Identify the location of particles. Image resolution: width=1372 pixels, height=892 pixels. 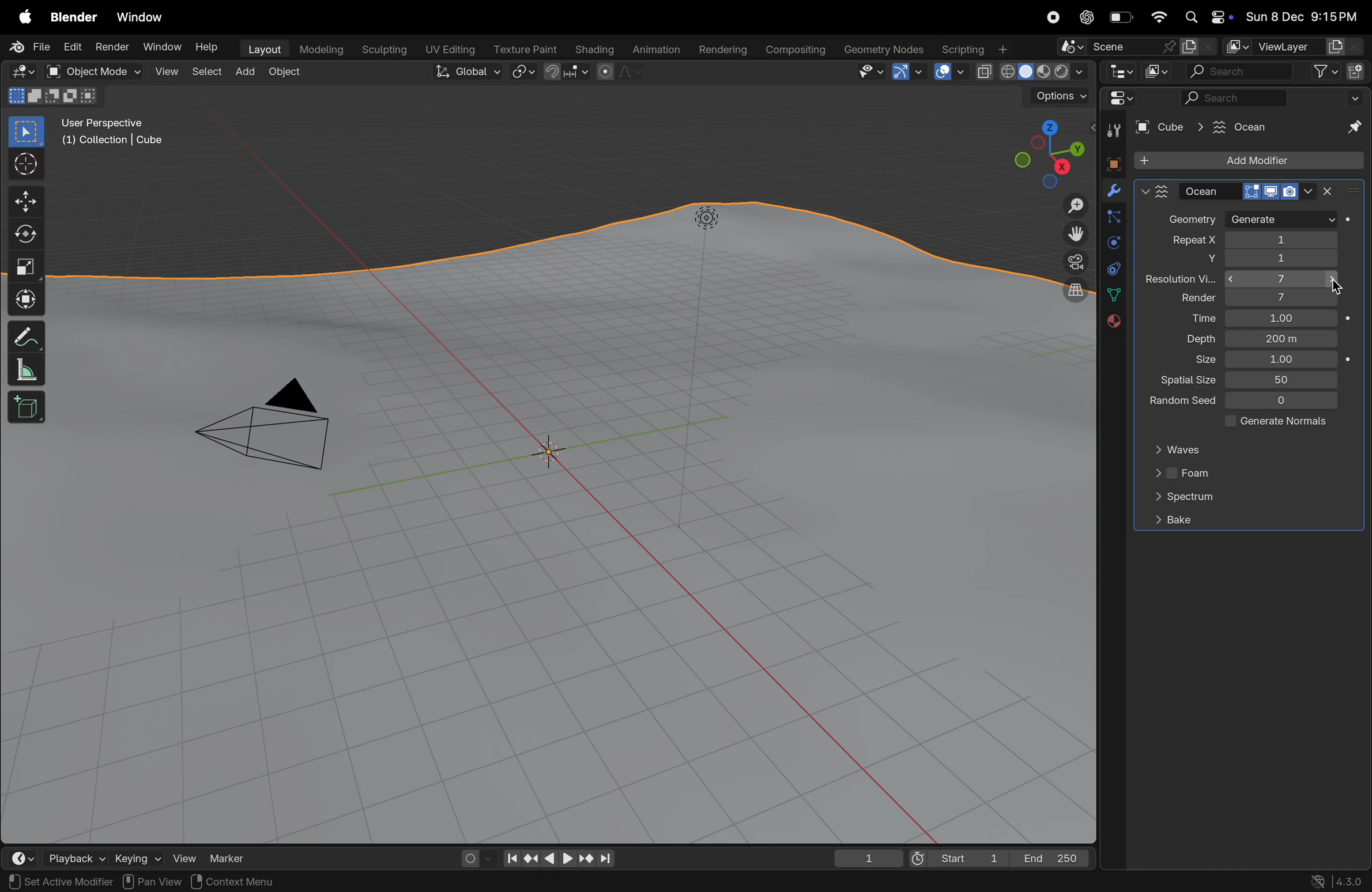
(1113, 219).